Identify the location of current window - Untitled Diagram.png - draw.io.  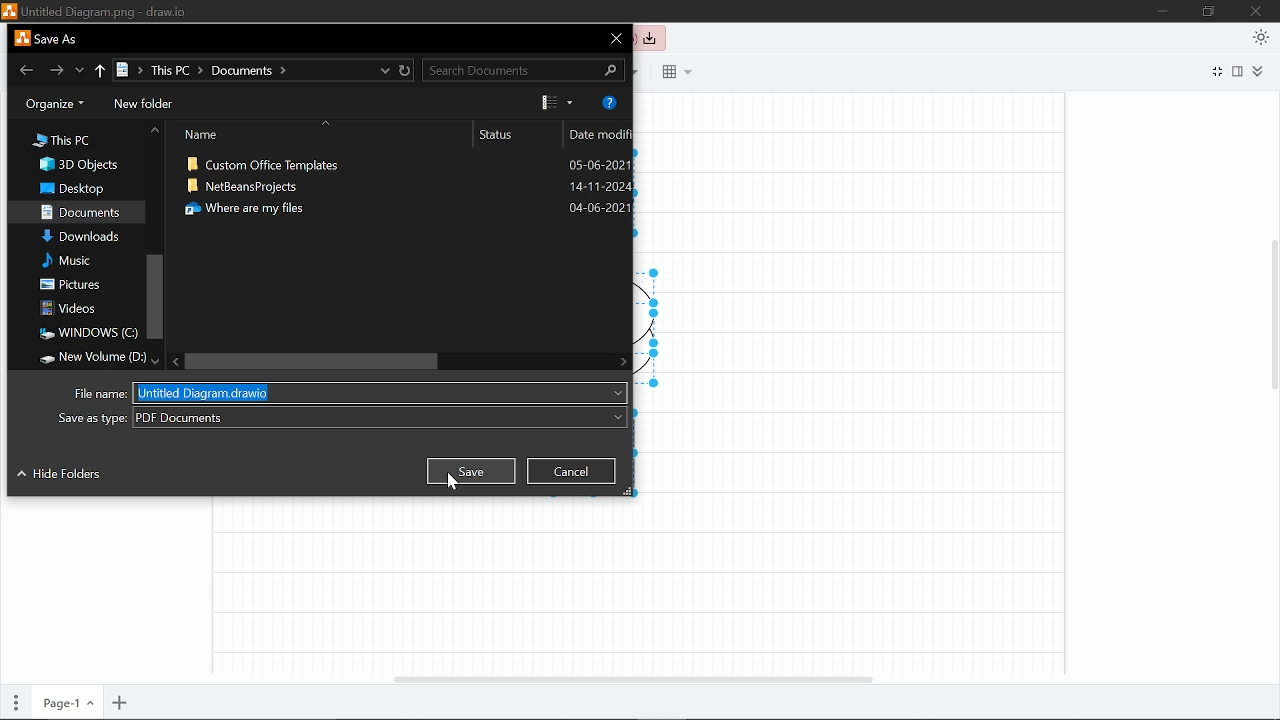
(92, 12).